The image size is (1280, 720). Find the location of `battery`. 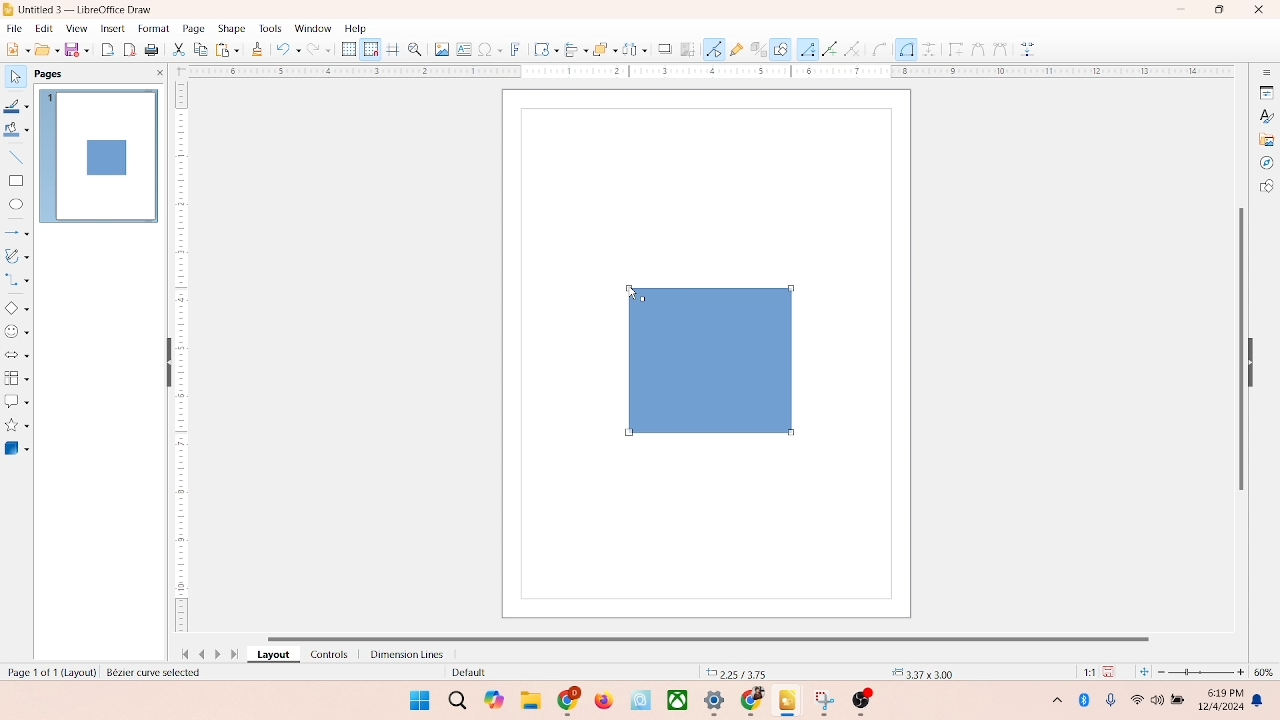

battery is located at coordinates (1180, 701).